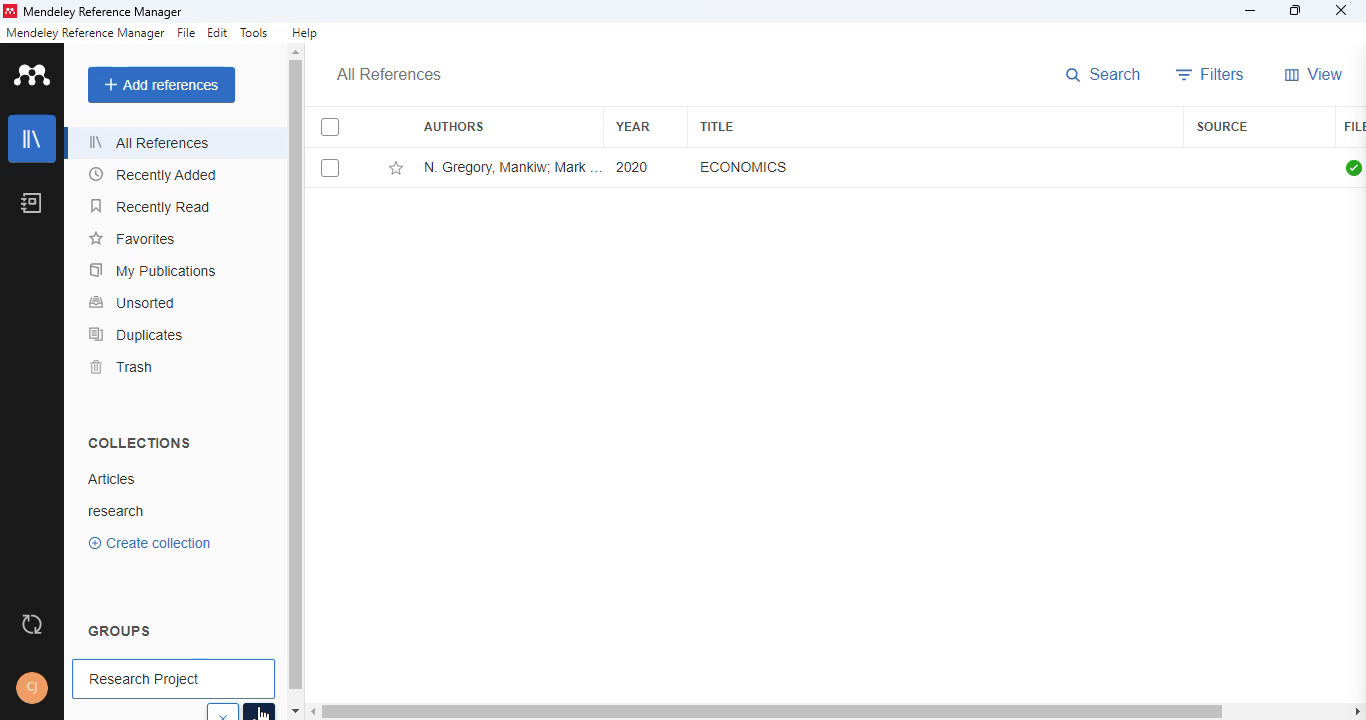 The height and width of the screenshot is (720, 1366). I want to click on articles, so click(111, 480).